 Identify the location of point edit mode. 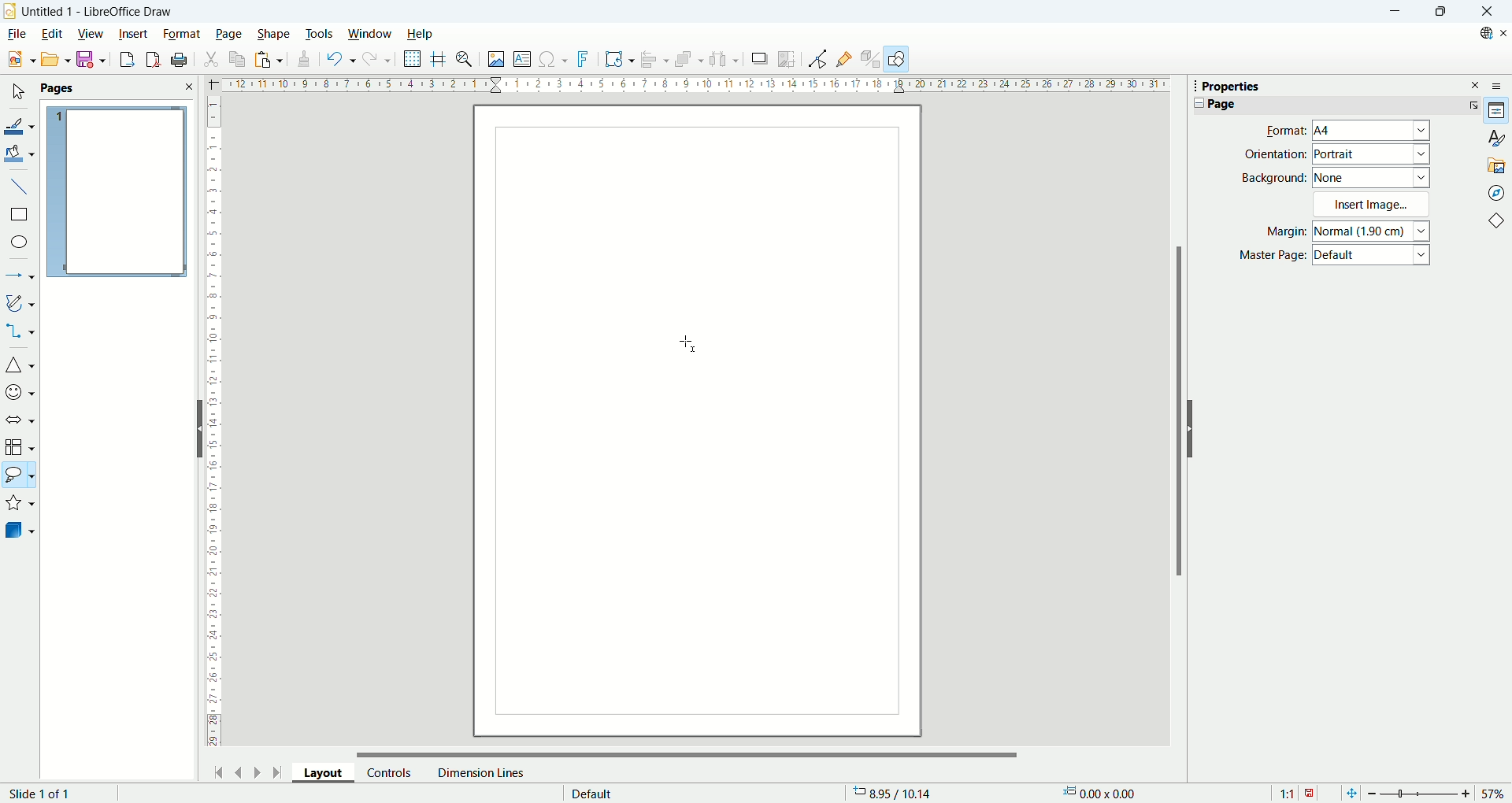
(817, 59).